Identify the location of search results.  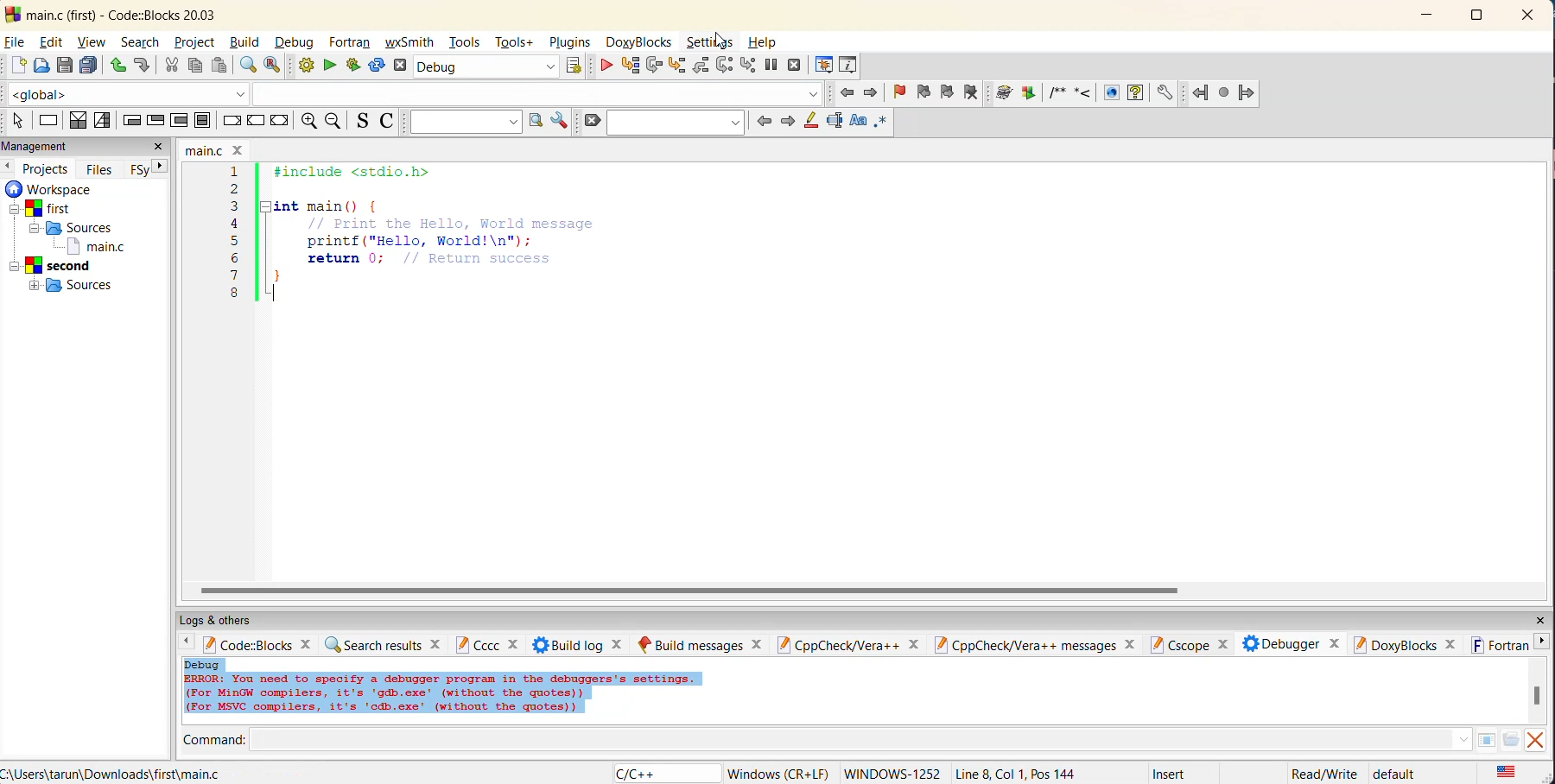
(385, 645).